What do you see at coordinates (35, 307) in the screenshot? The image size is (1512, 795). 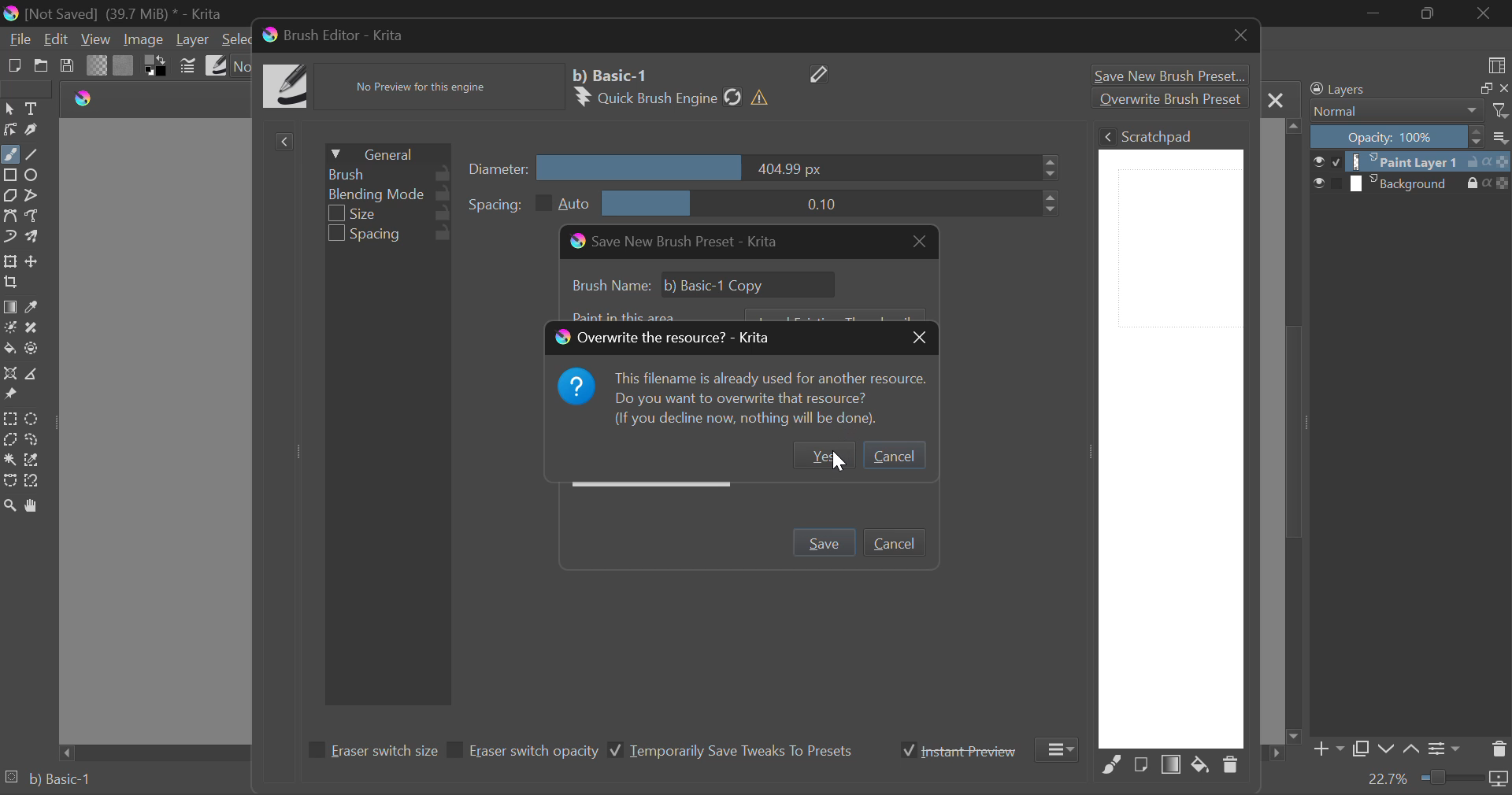 I see `Eyedropper` at bounding box center [35, 307].